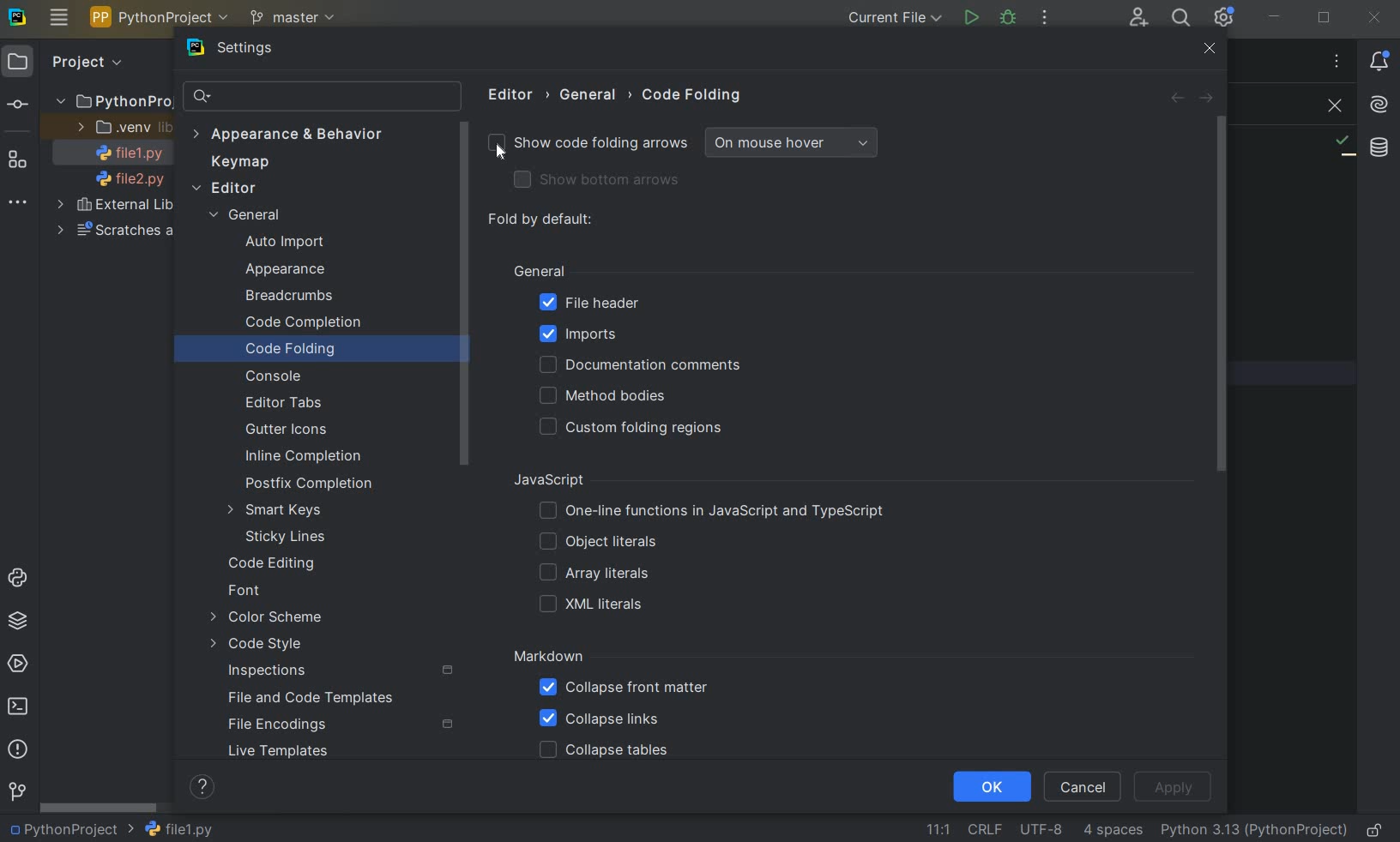 This screenshot has width=1400, height=842. Describe the element at coordinates (306, 297) in the screenshot. I see `BREADCRUMBS` at that location.